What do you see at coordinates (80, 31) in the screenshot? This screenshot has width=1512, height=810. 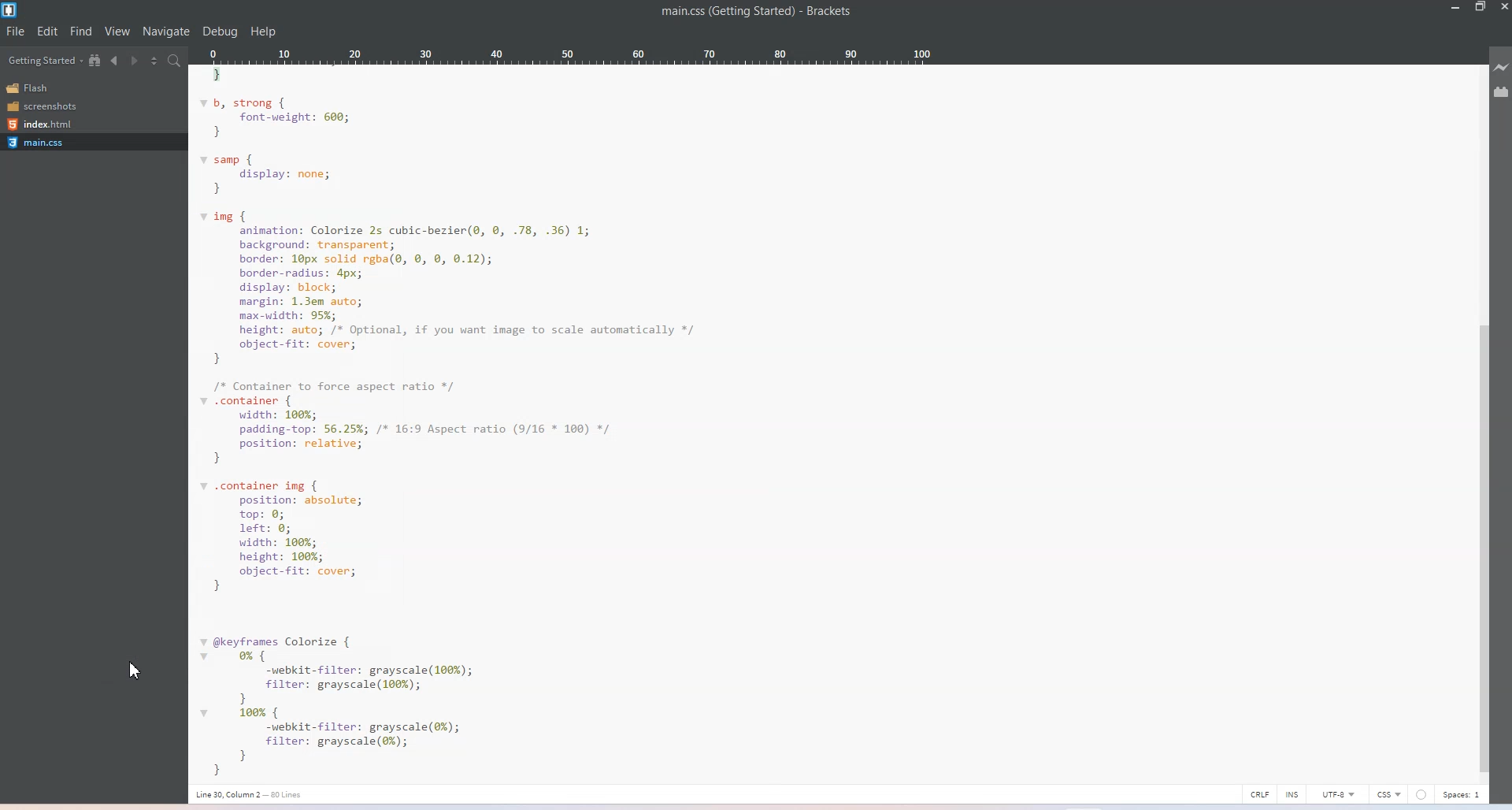 I see `Find` at bounding box center [80, 31].